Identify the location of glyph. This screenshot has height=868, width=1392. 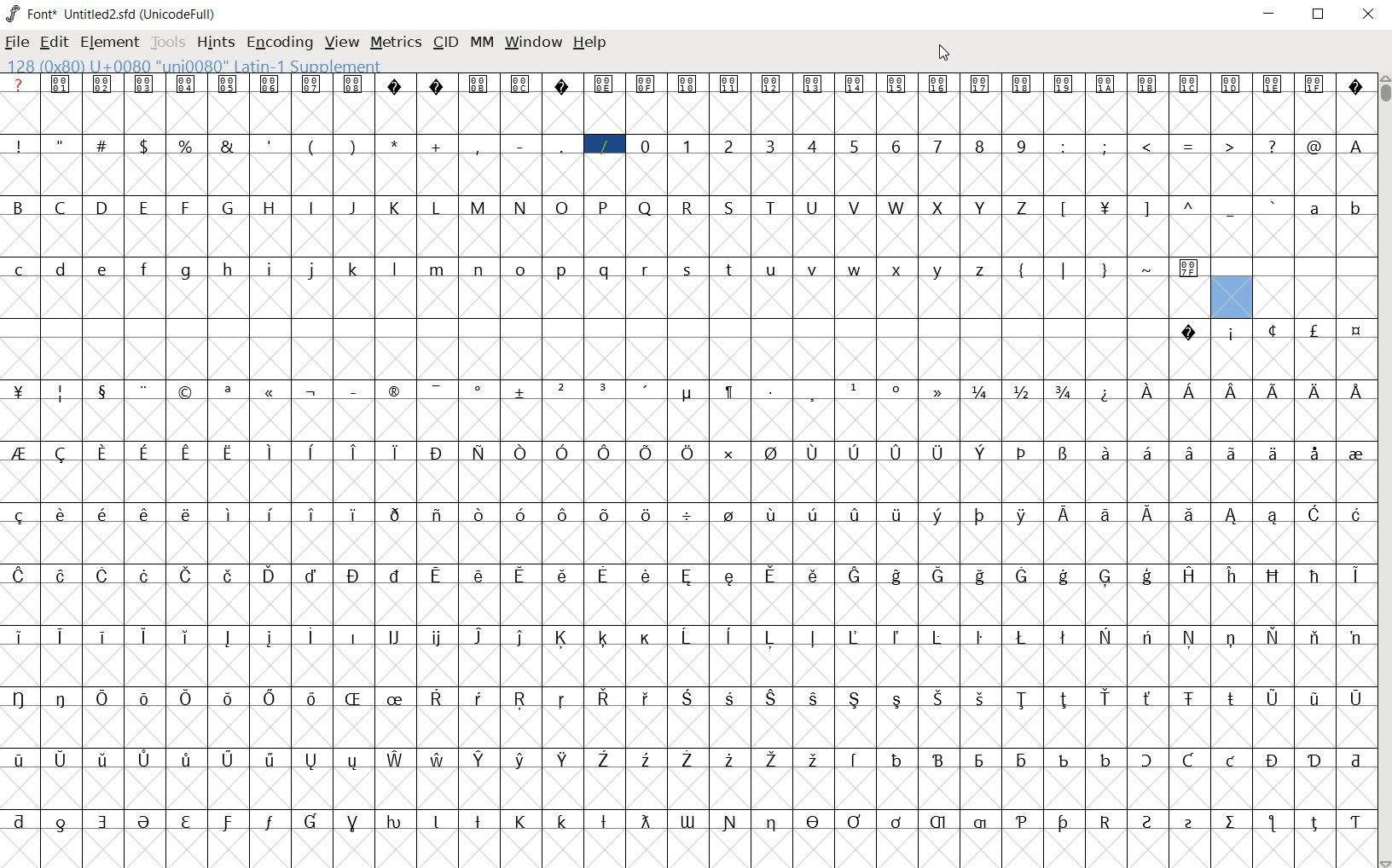
(145, 699).